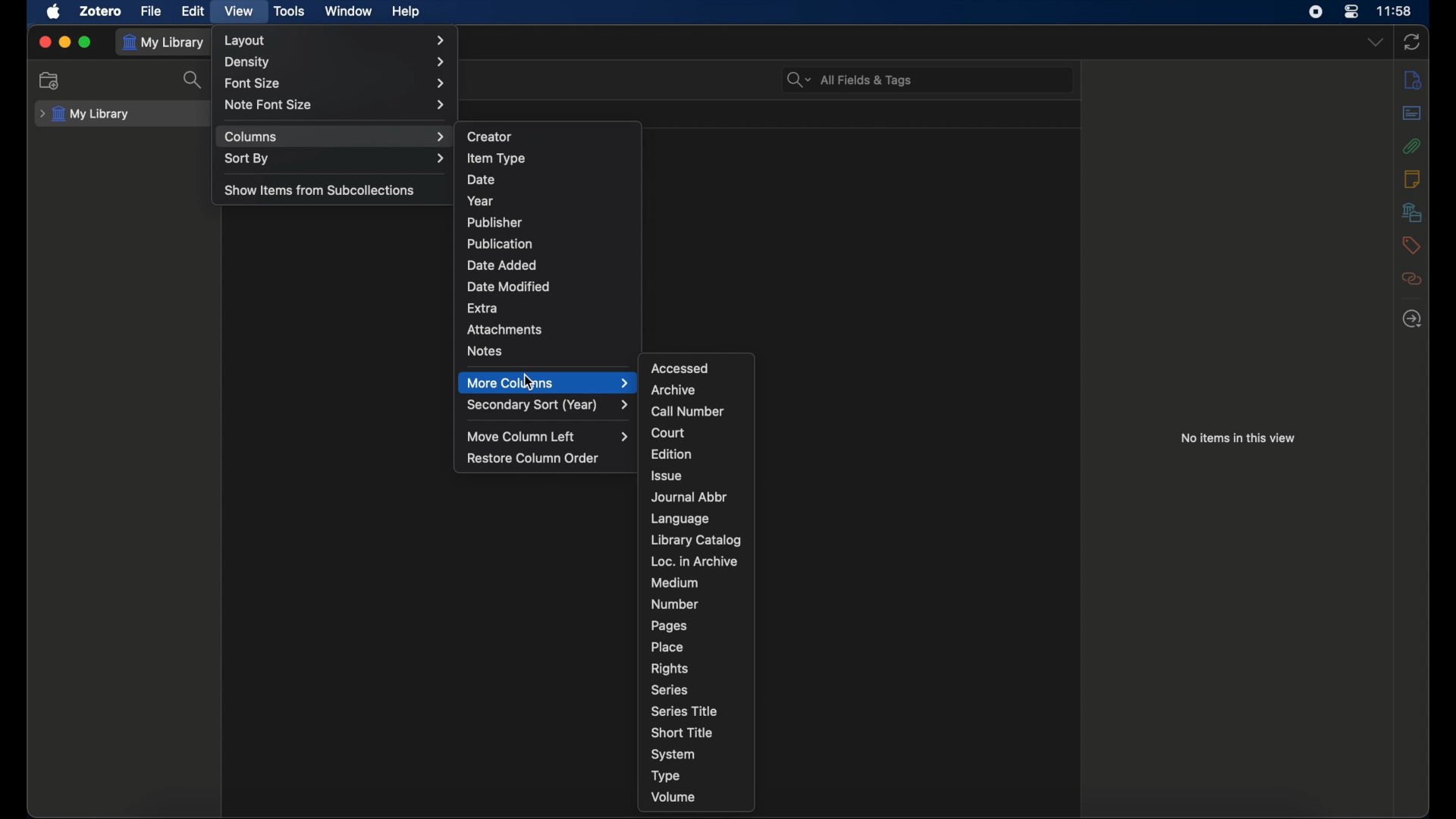  Describe the element at coordinates (1394, 11) in the screenshot. I see `time` at that location.